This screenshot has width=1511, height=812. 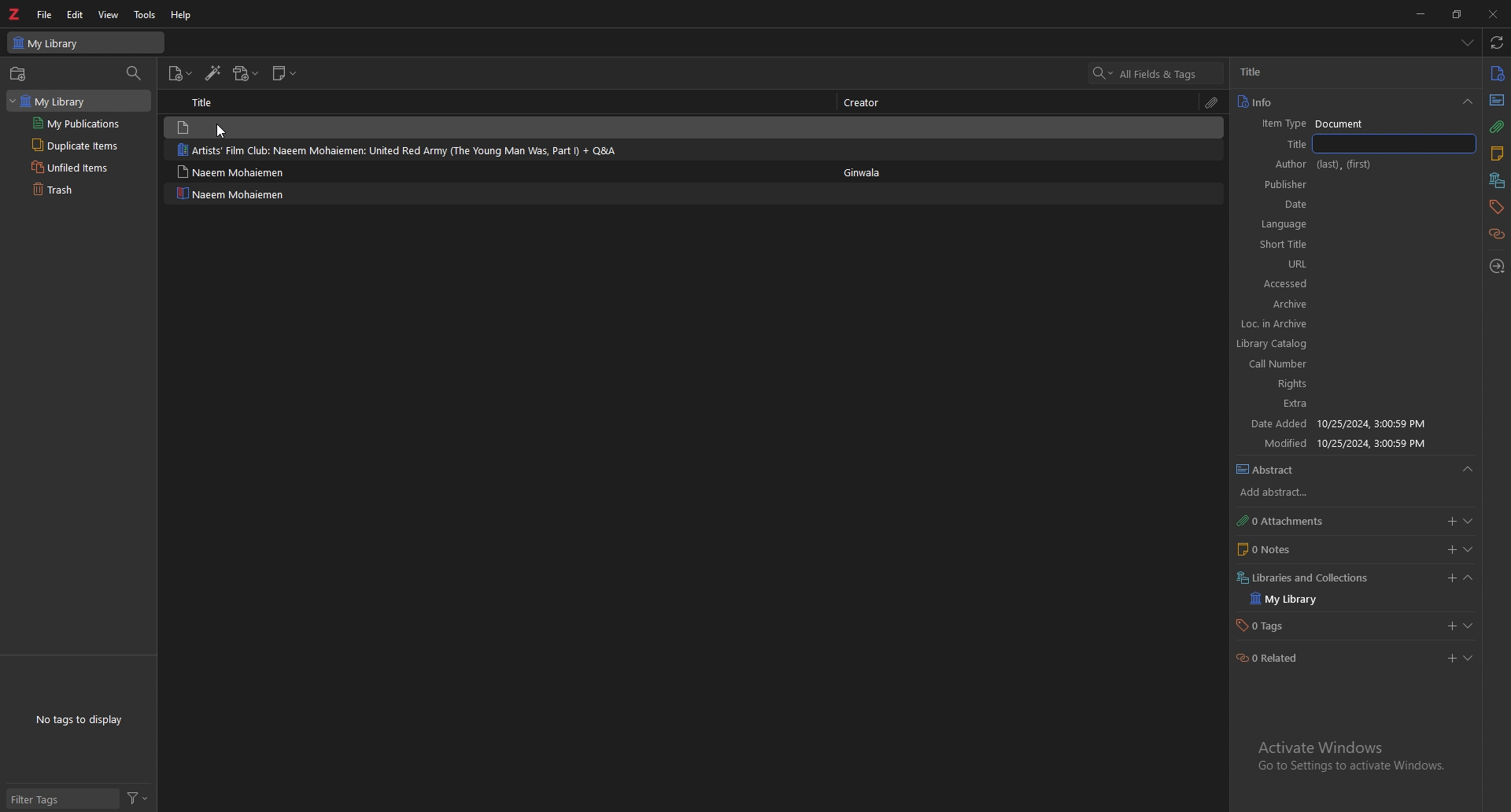 I want to click on item, so click(x=500, y=127).